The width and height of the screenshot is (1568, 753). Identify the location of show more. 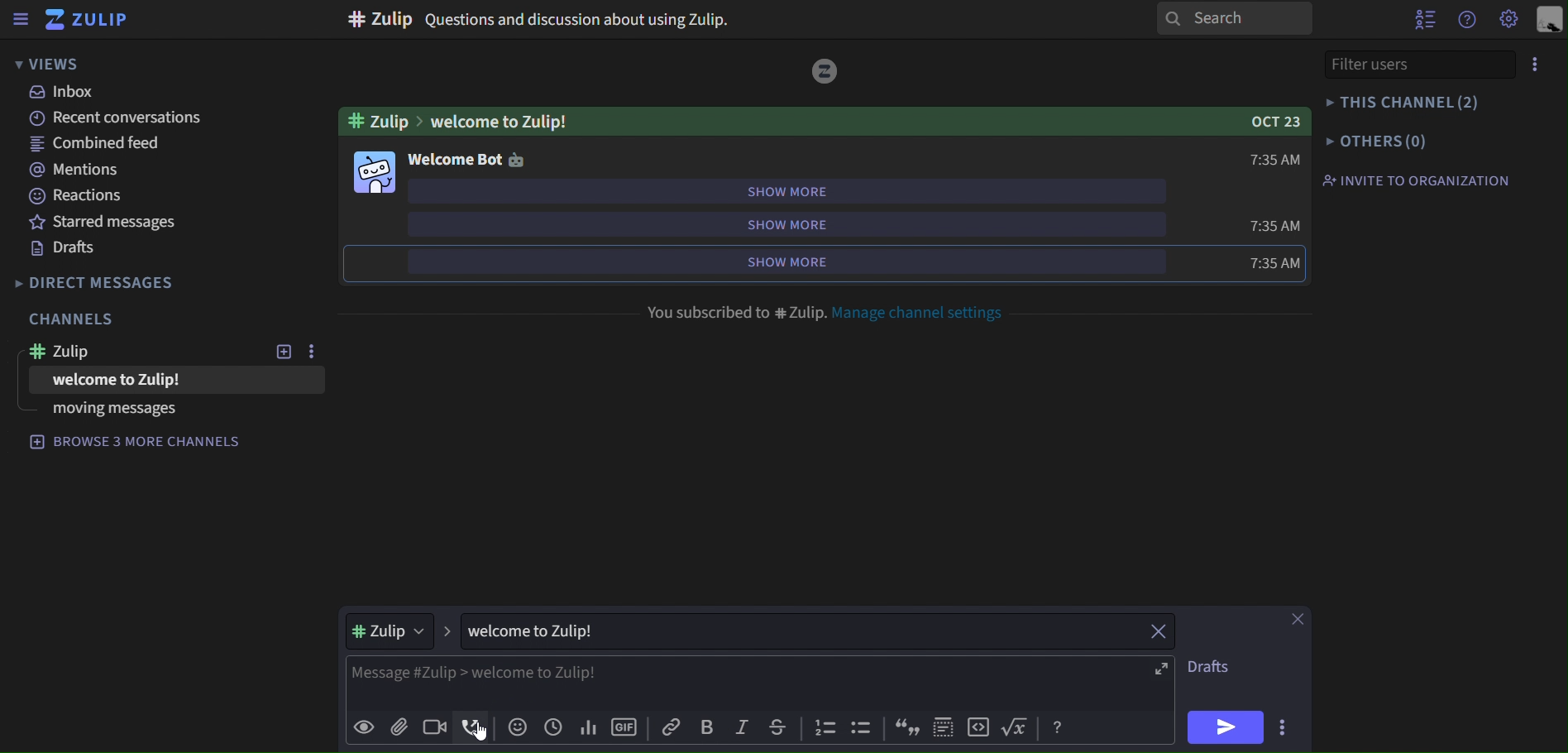
(820, 261).